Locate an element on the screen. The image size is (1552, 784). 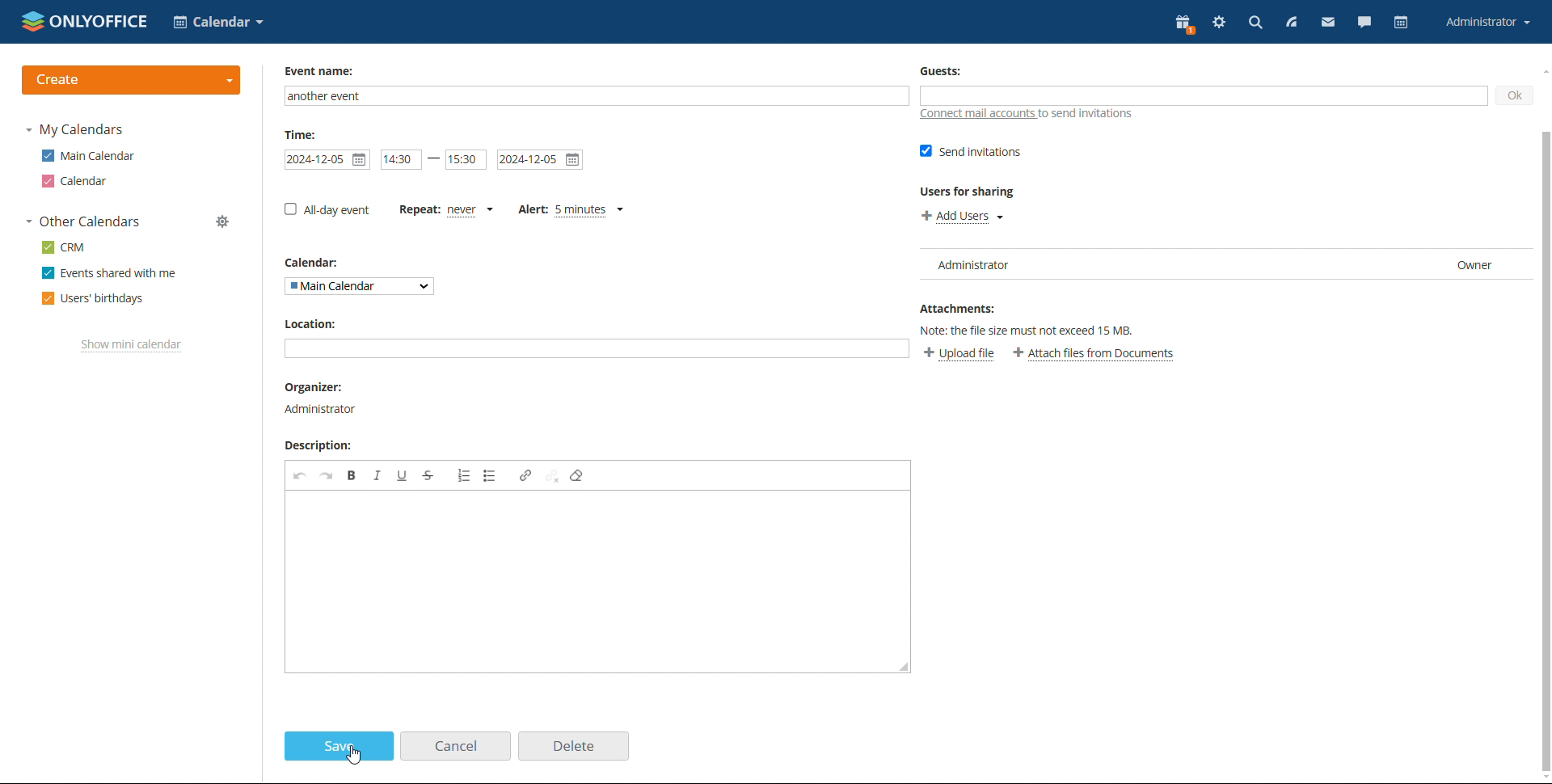
scroll up is located at coordinates (1542, 70).